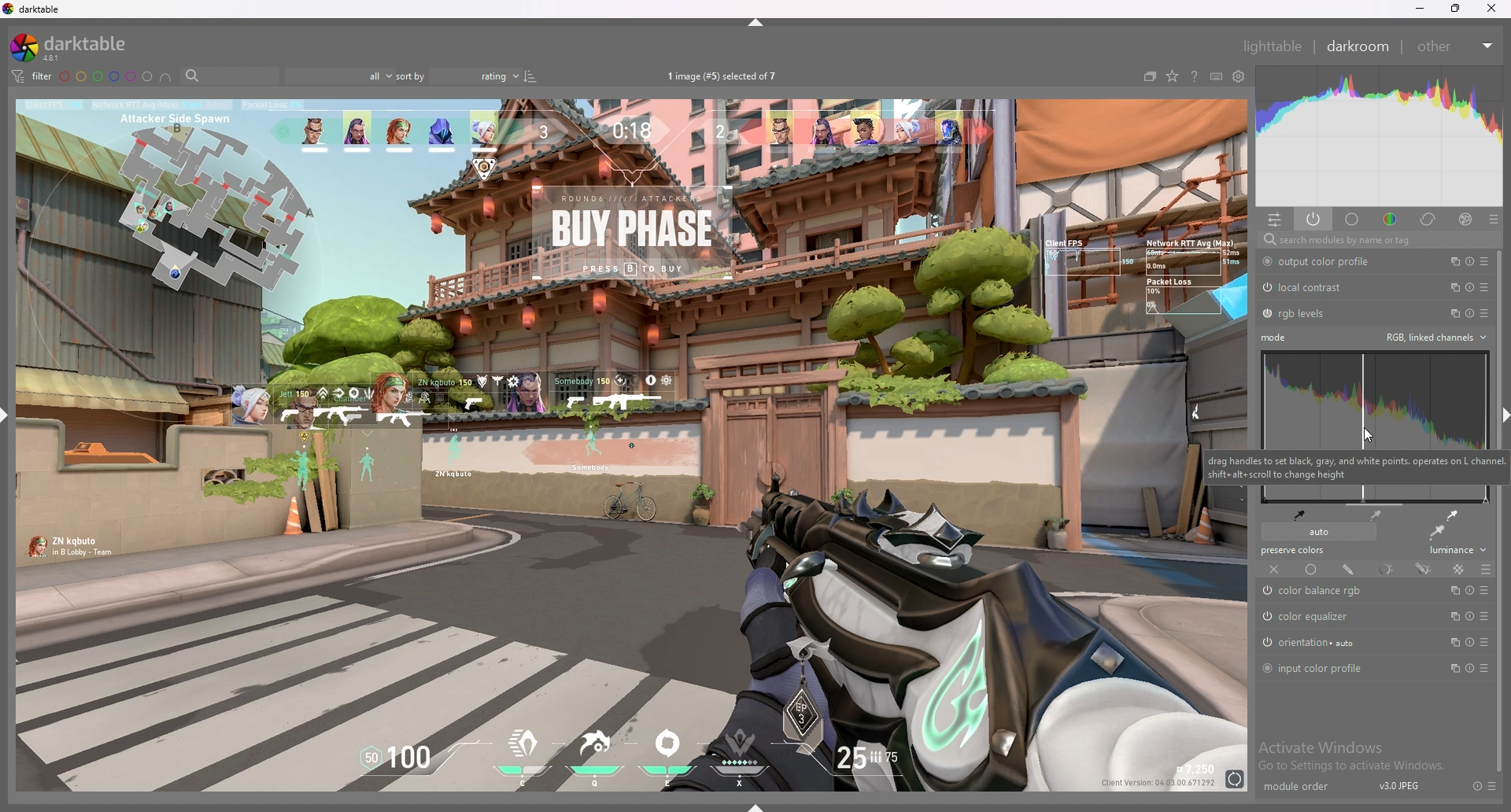 The height and width of the screenshot is (812, 1511). What do you see at coordinates (1330, 592) in the screenshot?
I see `color balance rgb` at bounding box center [1330, 592].